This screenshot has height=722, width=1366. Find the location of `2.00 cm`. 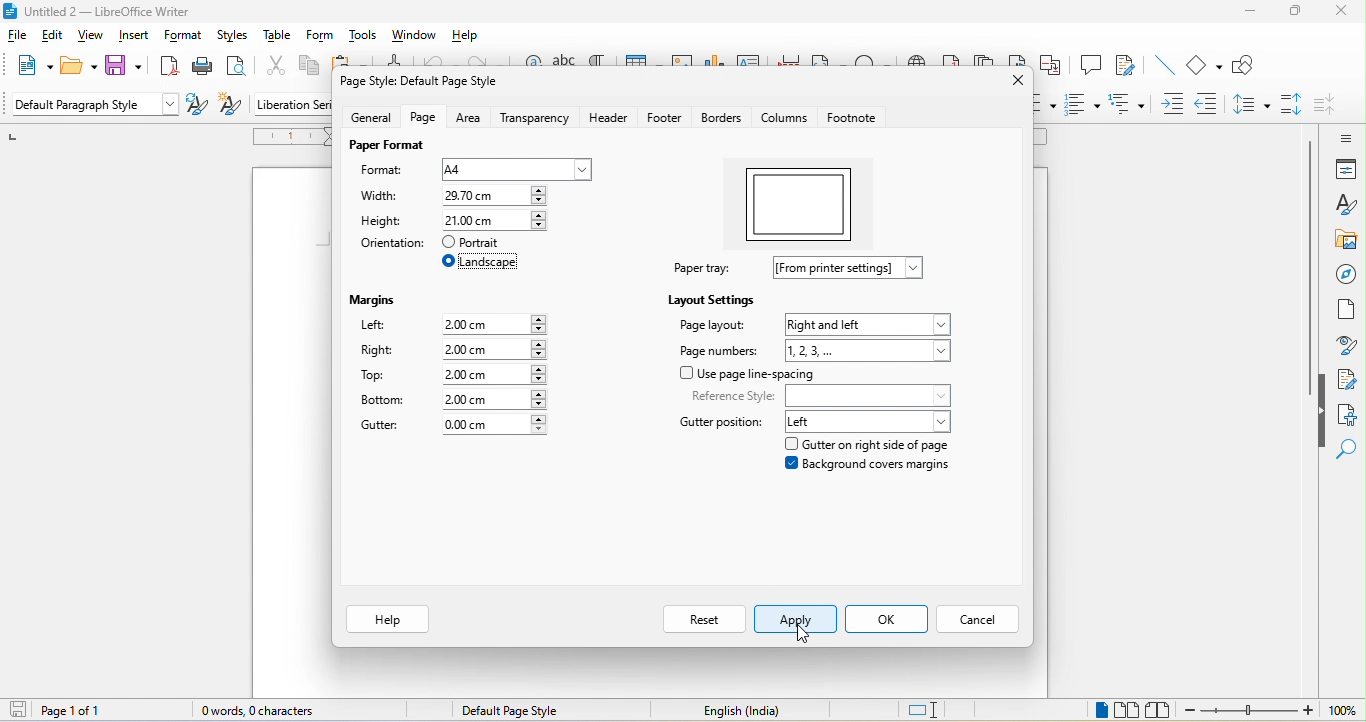

2.00 cm is located at coordinates (494, 349).